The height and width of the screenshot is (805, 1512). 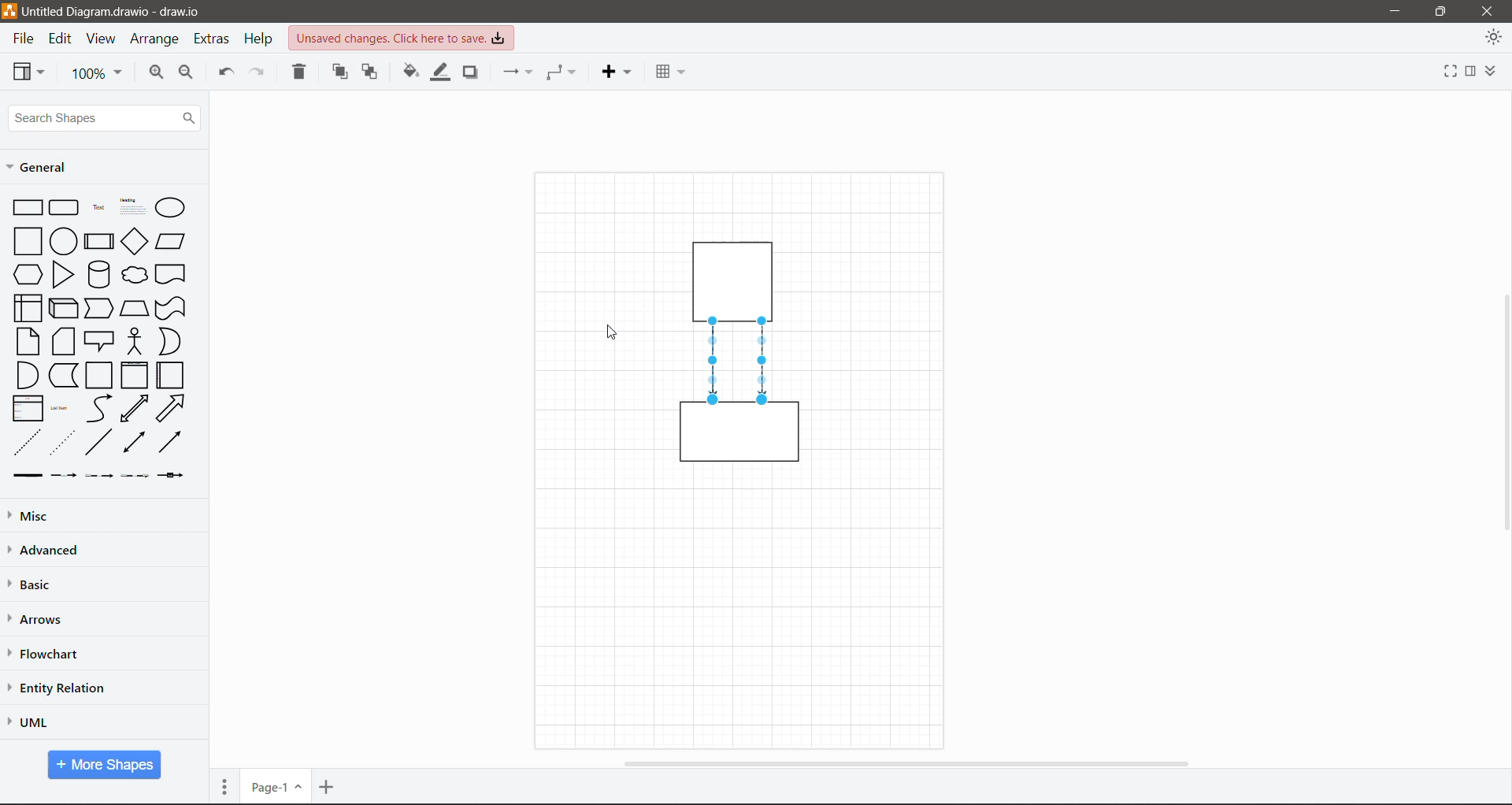 What do you see at coordinates (29, 71) in the screenshot?
I see `View` at bounding box center [29, 71].